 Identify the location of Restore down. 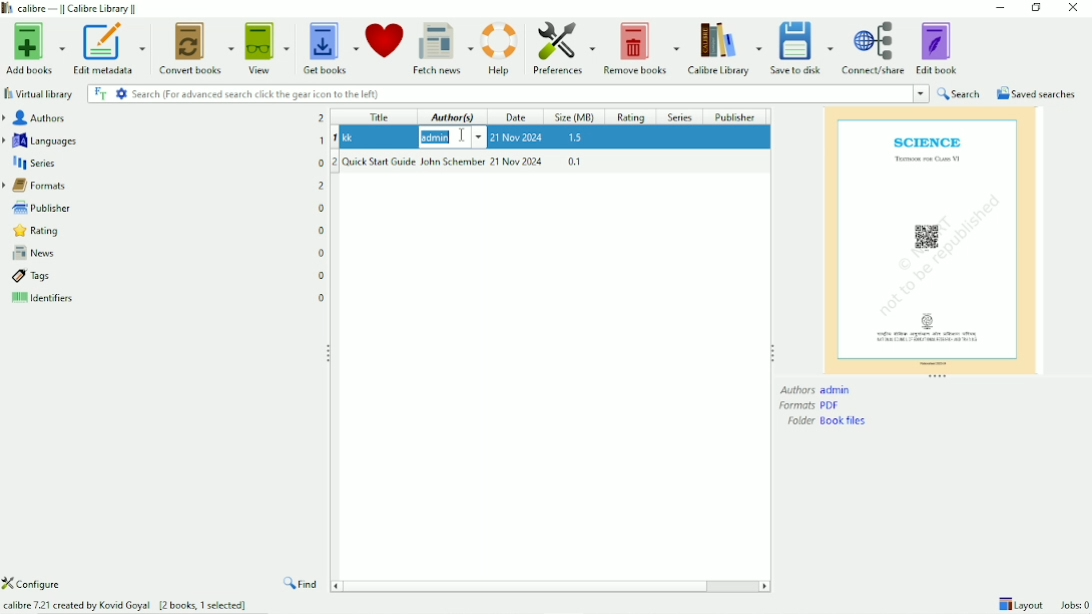
(1036, 8).